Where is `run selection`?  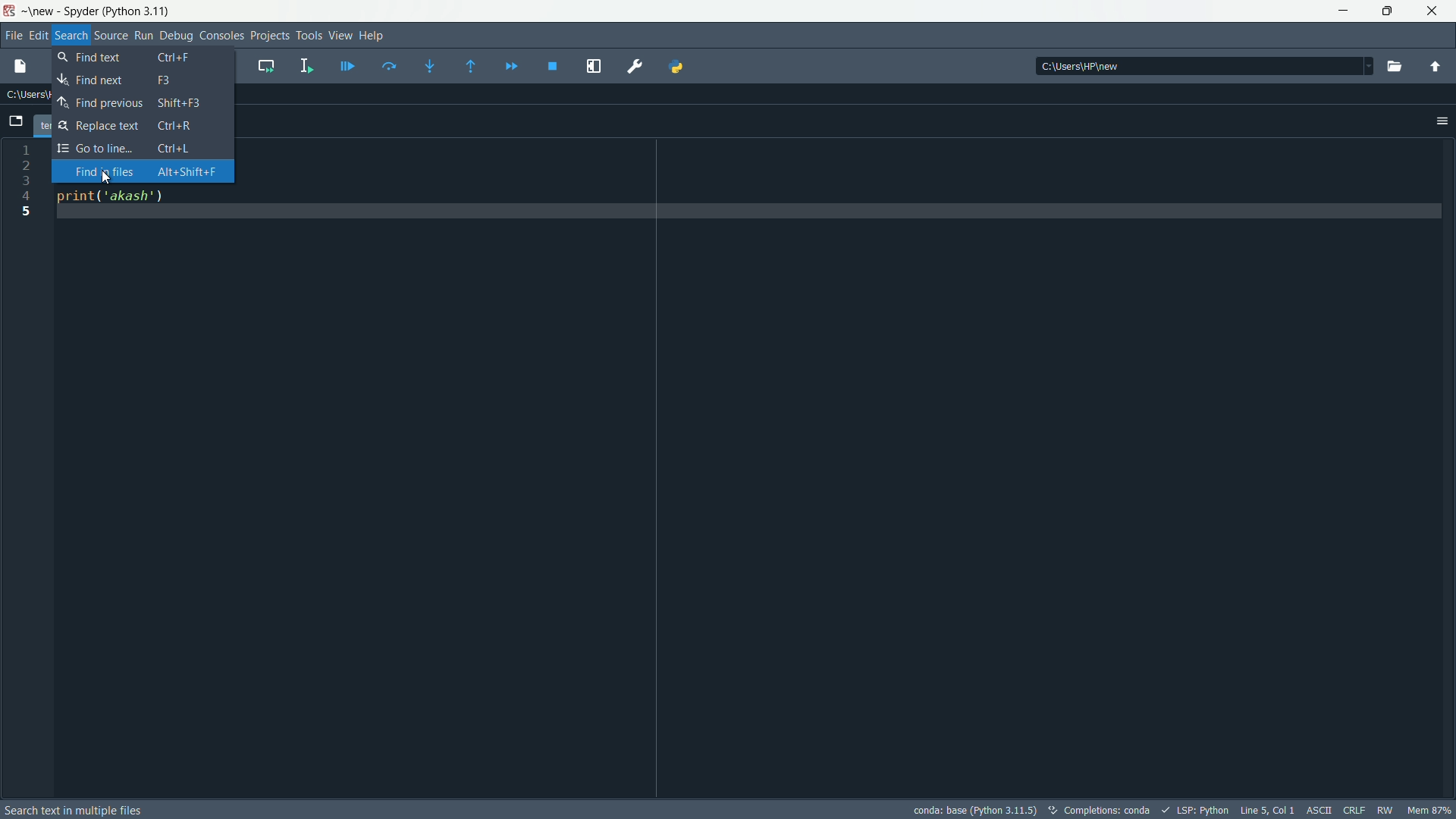
run selection is located at coordinates (306, 66).